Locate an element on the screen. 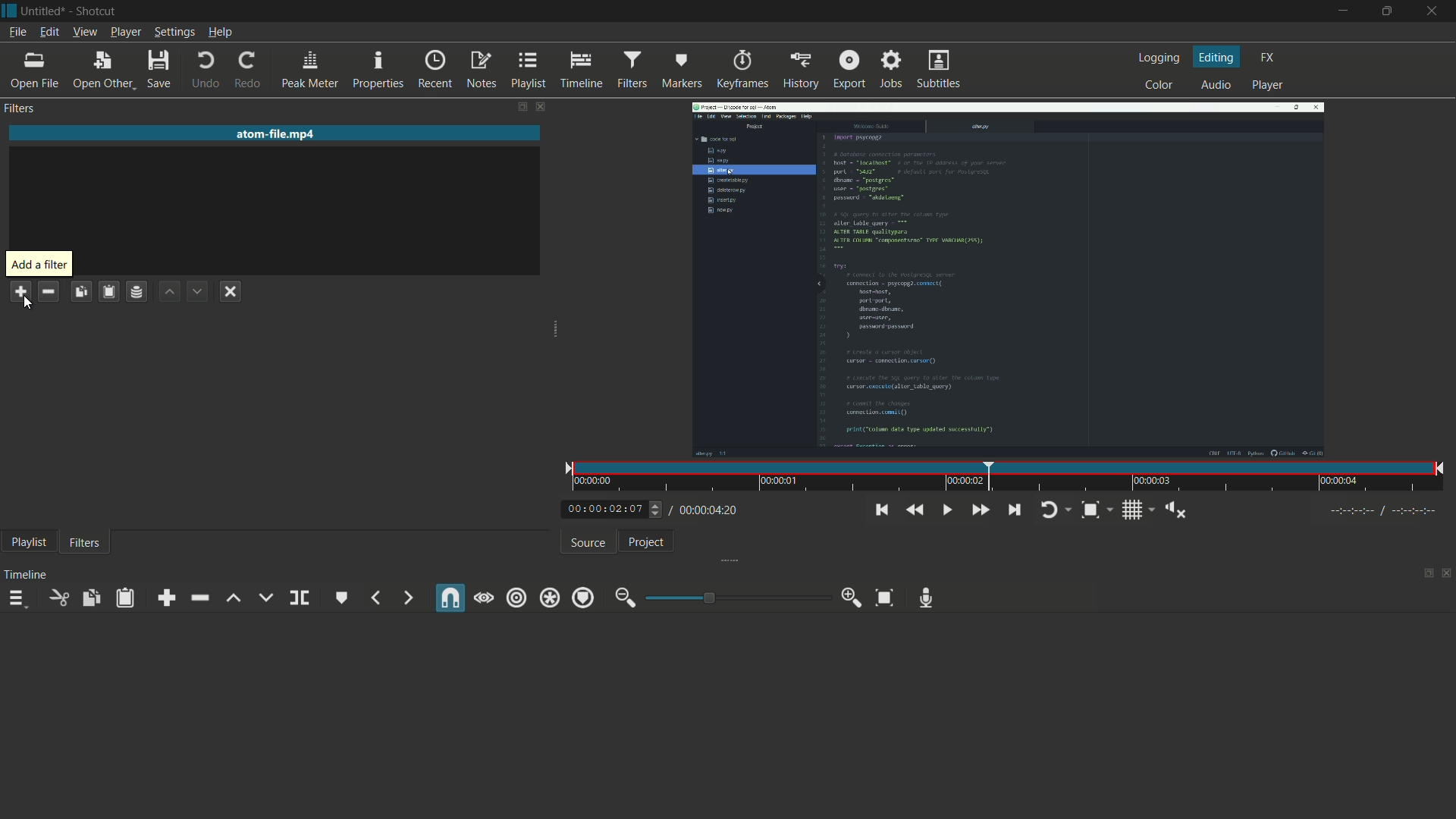 Image resolution: width=1456 pixels, height=819 pixels. save filter set is located at coordinates (136, 293).